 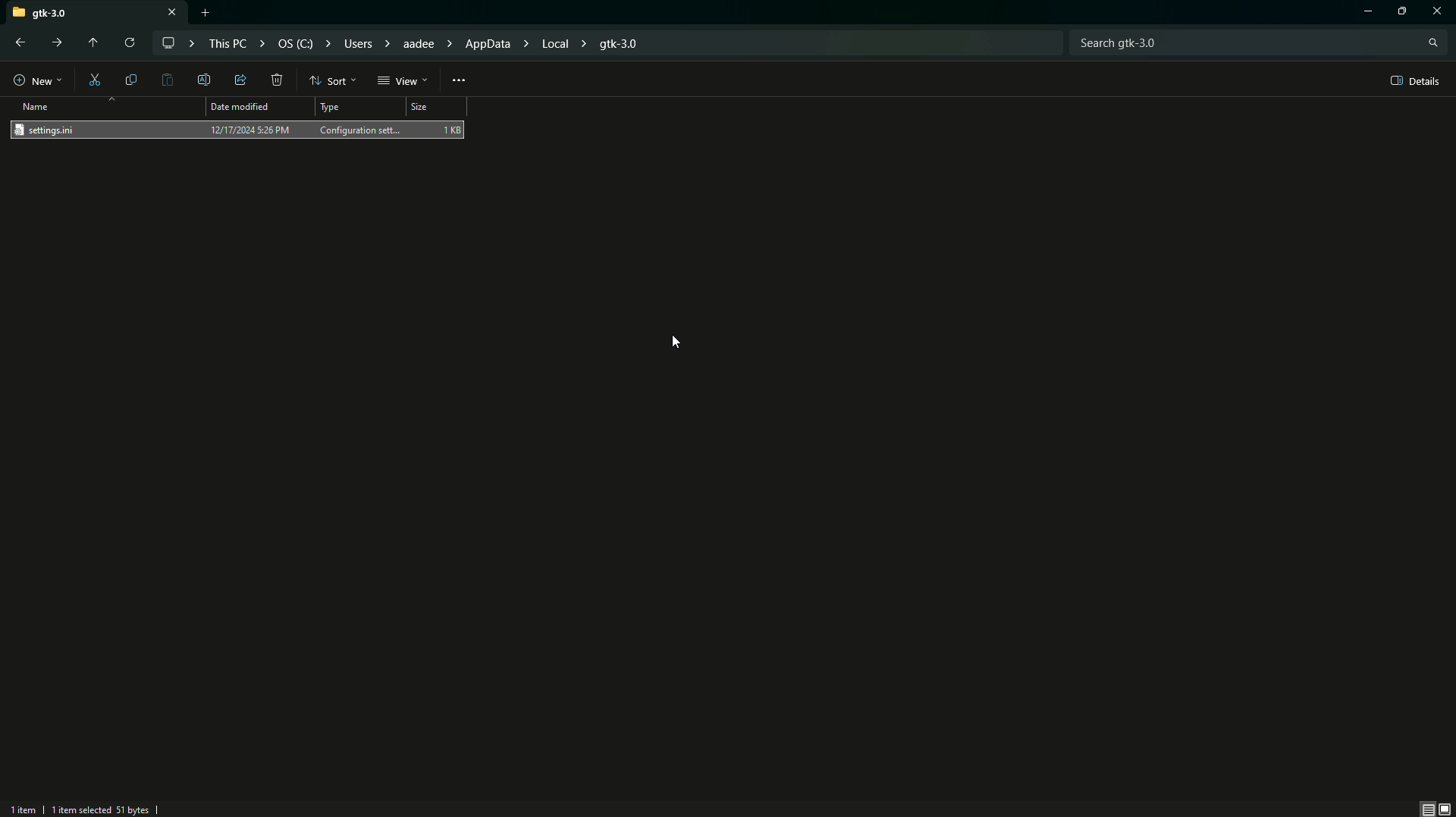 What do you see at coordinates (250, 130) in the screenshot?
I see `Date and Time` at bounding box center [250, 130].